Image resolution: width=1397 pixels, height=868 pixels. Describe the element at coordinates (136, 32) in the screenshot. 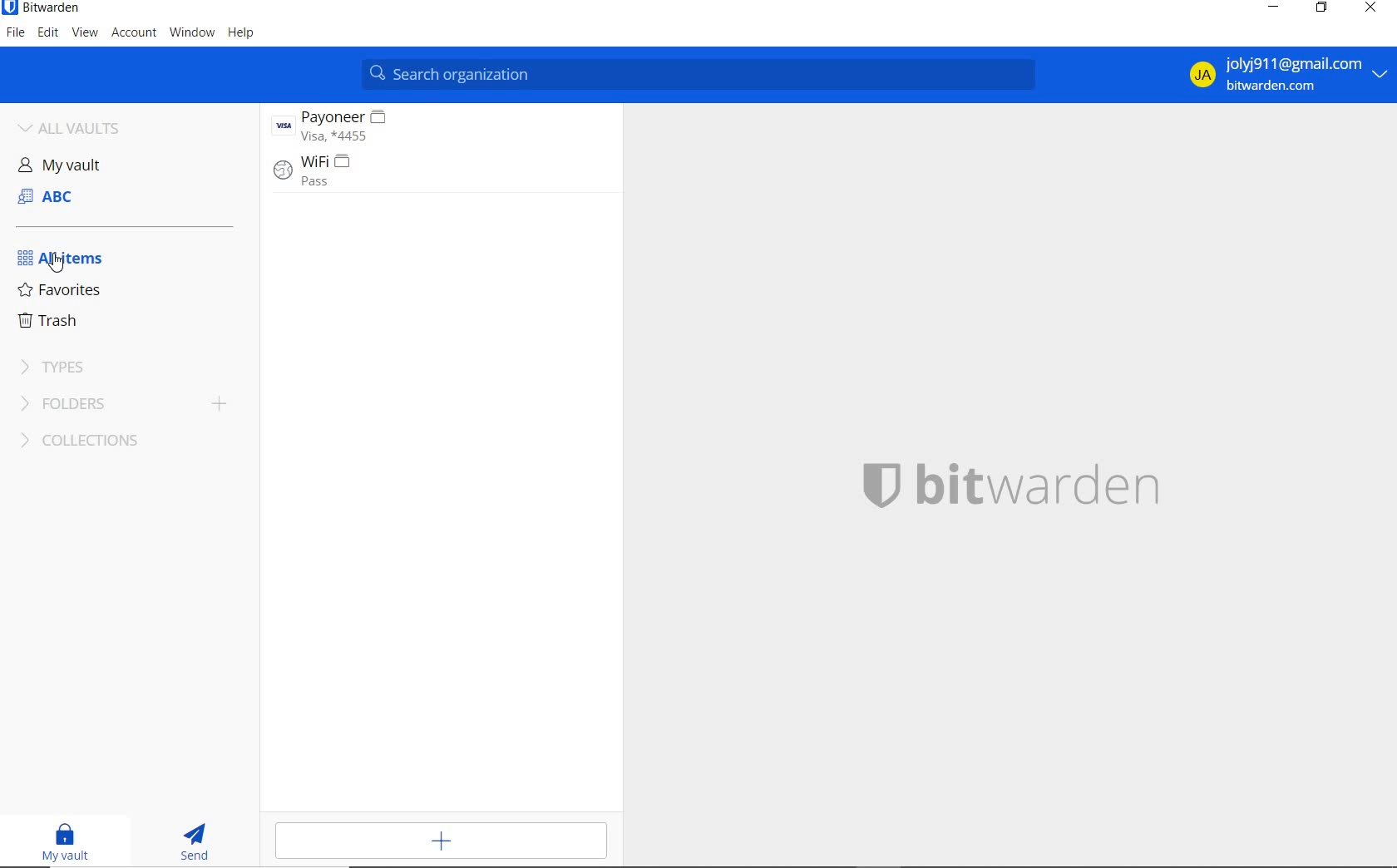

I see `ACCOUNT` at that location.